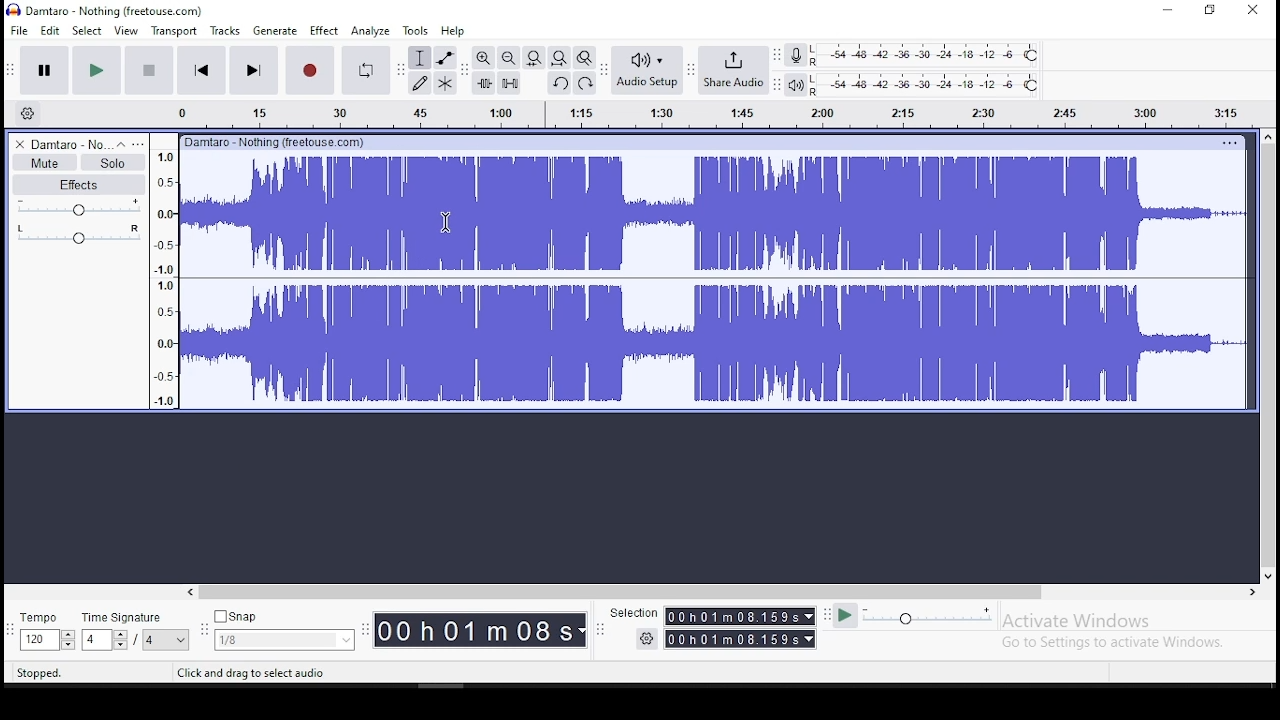  What do you see at coordinates (1250, 10) in the screenshot?
I see `close ` at bounding box center [1250, 10].